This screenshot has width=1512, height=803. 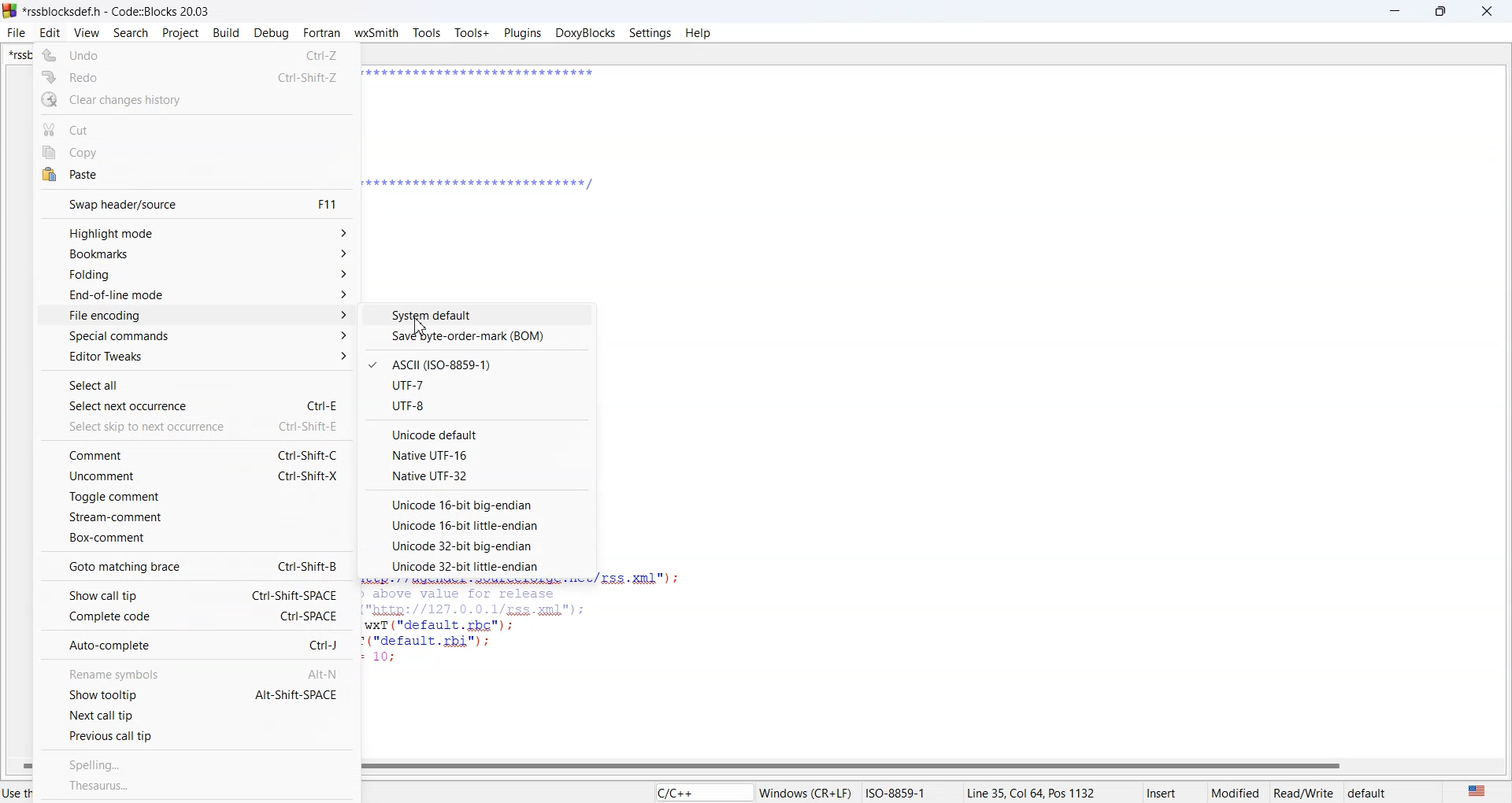 What do you see at coordinates (475, 546) in the screenshot?
I see `Unicode 32-bit big ending` at bounding box center [475, 546].